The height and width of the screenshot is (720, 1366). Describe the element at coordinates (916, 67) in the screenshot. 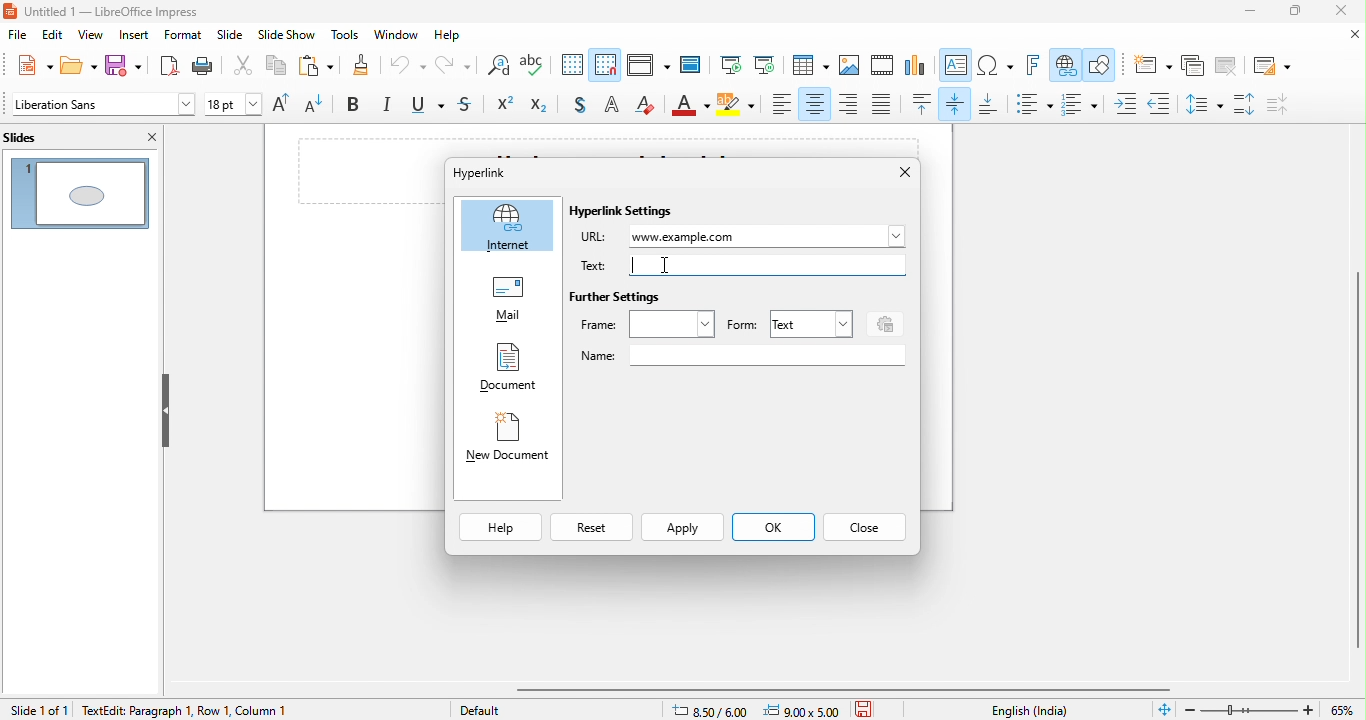

I see `chart` at that location.